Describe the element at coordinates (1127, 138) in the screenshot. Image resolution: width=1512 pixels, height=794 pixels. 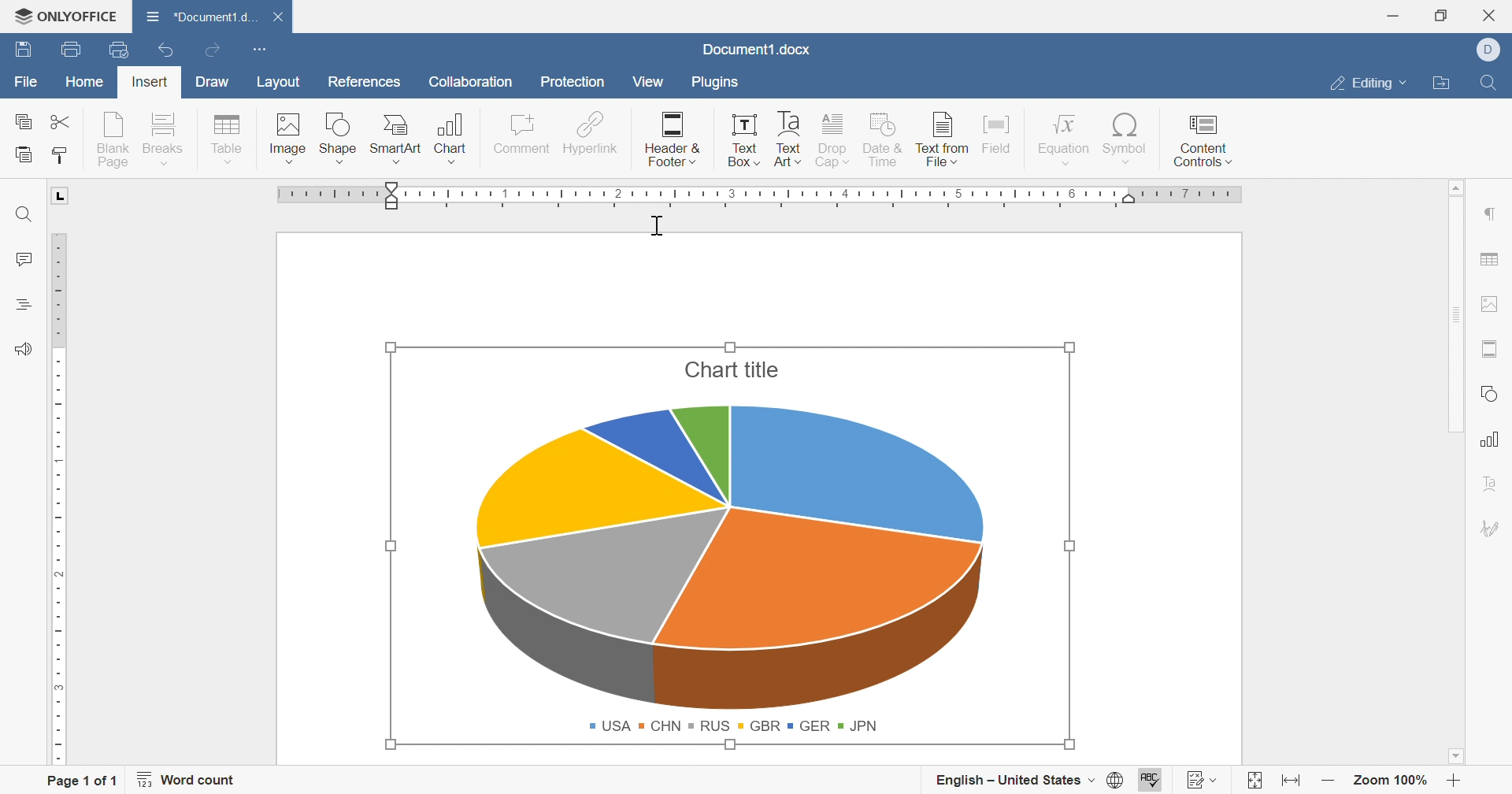
I see `Symbol` at that location.